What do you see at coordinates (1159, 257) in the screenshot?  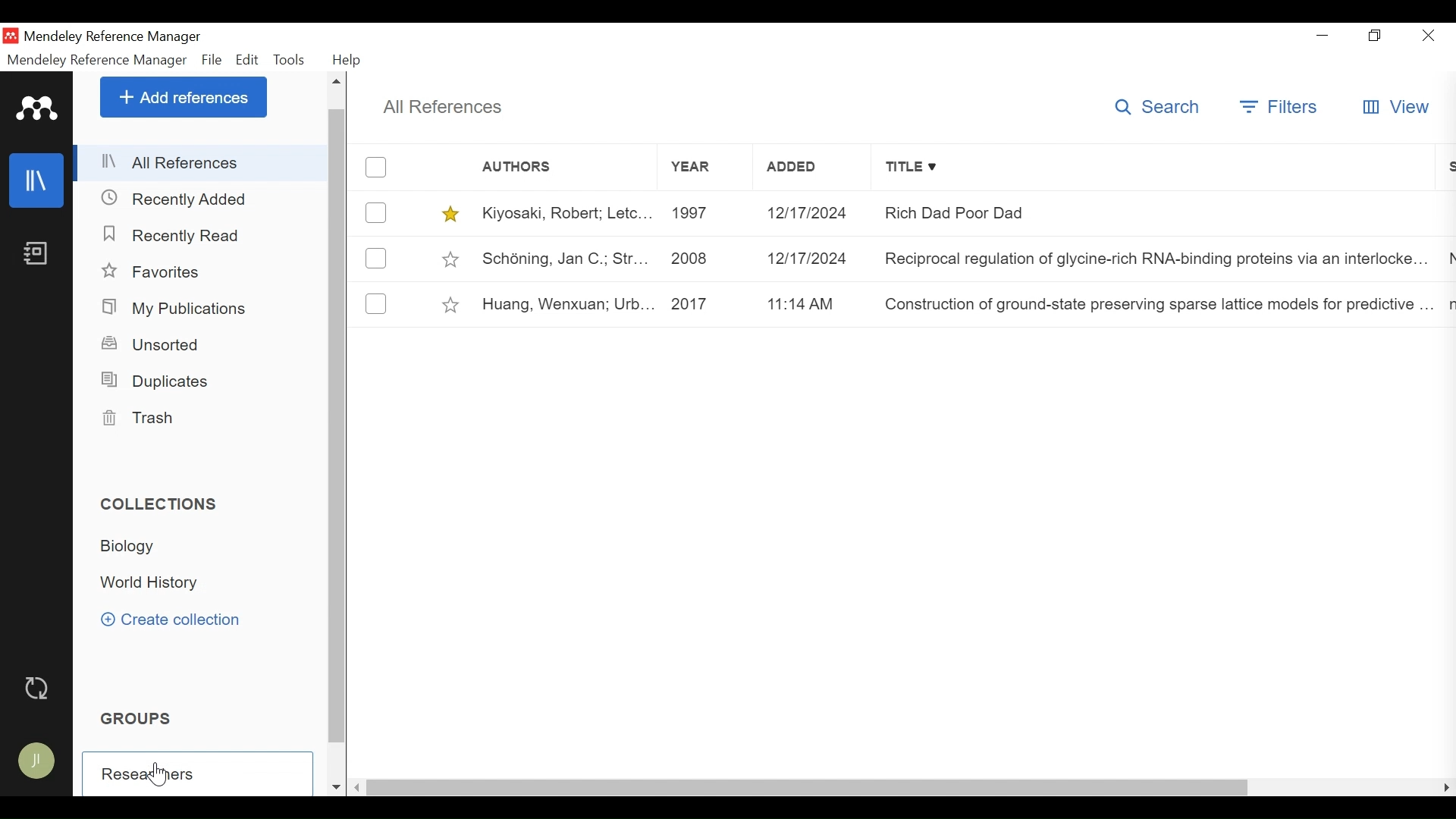 I see `Reciprocal regulation of glycine-rich RNA-binding proteins via an interlocked..` at bounding box center [1159, 257].